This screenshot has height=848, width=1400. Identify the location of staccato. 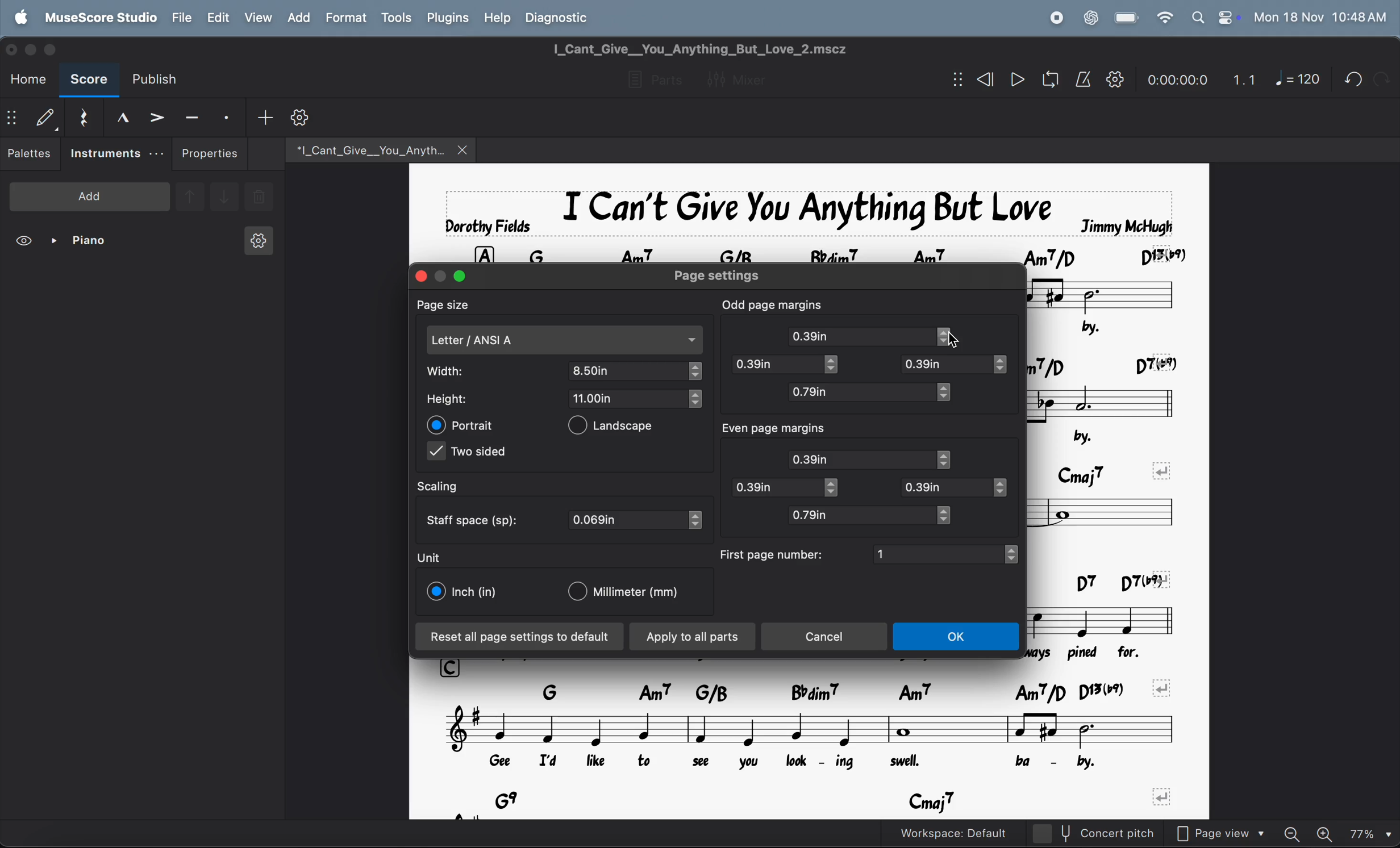
(228, 116).